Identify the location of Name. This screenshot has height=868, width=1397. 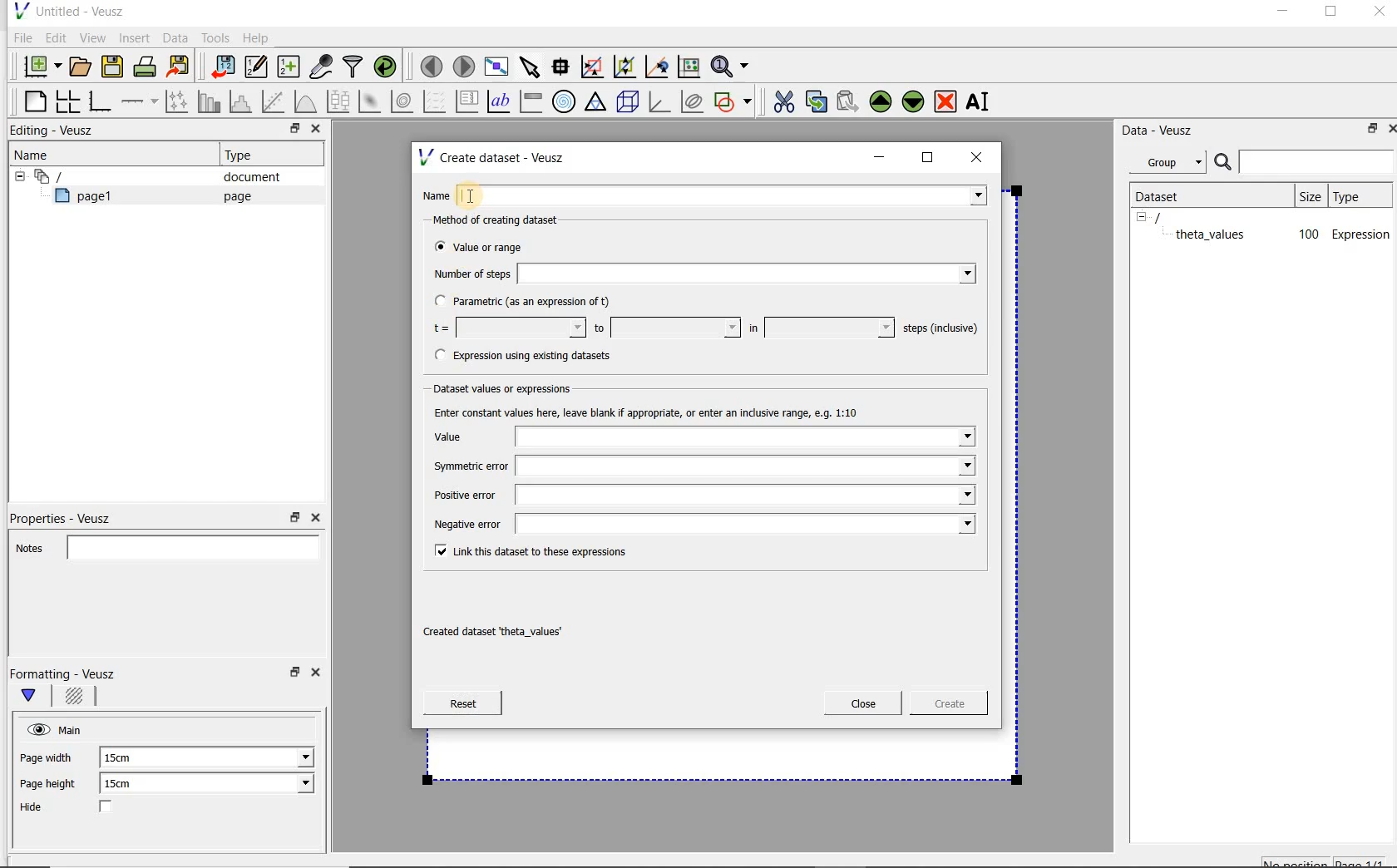
(708, 194).